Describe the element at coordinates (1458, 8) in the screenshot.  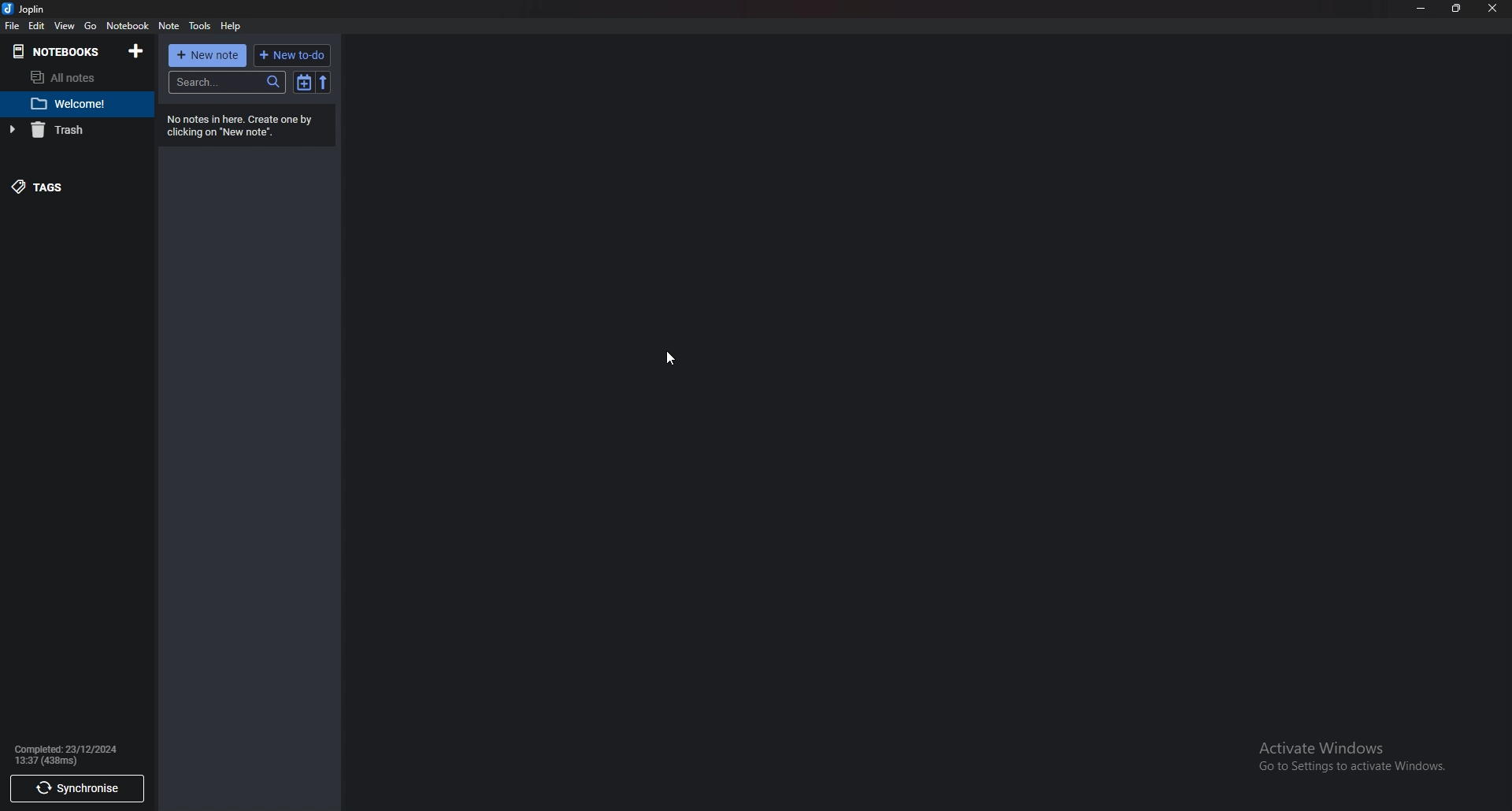
I see `resize` at that location.